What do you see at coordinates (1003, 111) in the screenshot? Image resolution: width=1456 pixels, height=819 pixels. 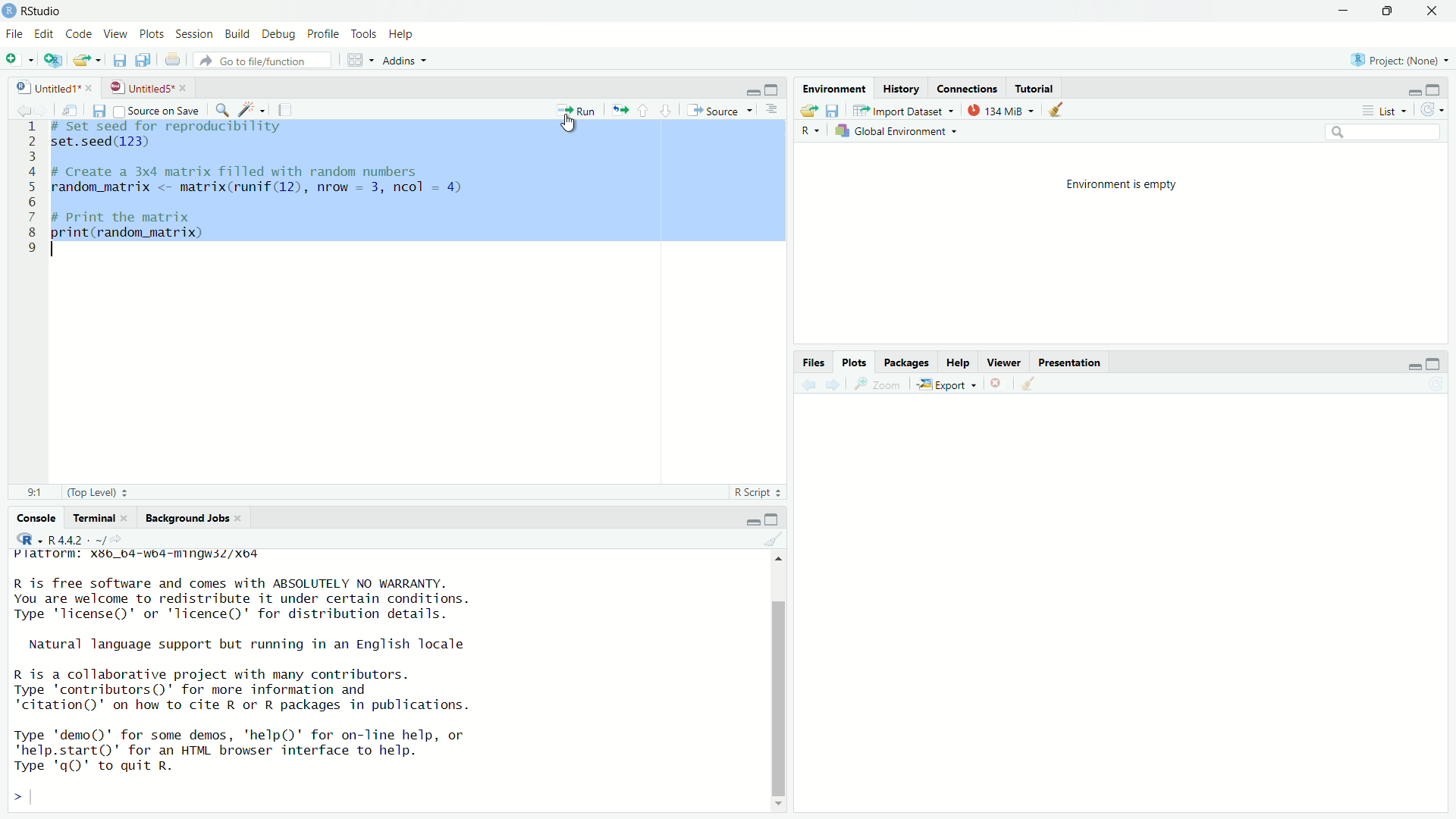 I see `134 MiB +` at bounding box center [1003, 111].